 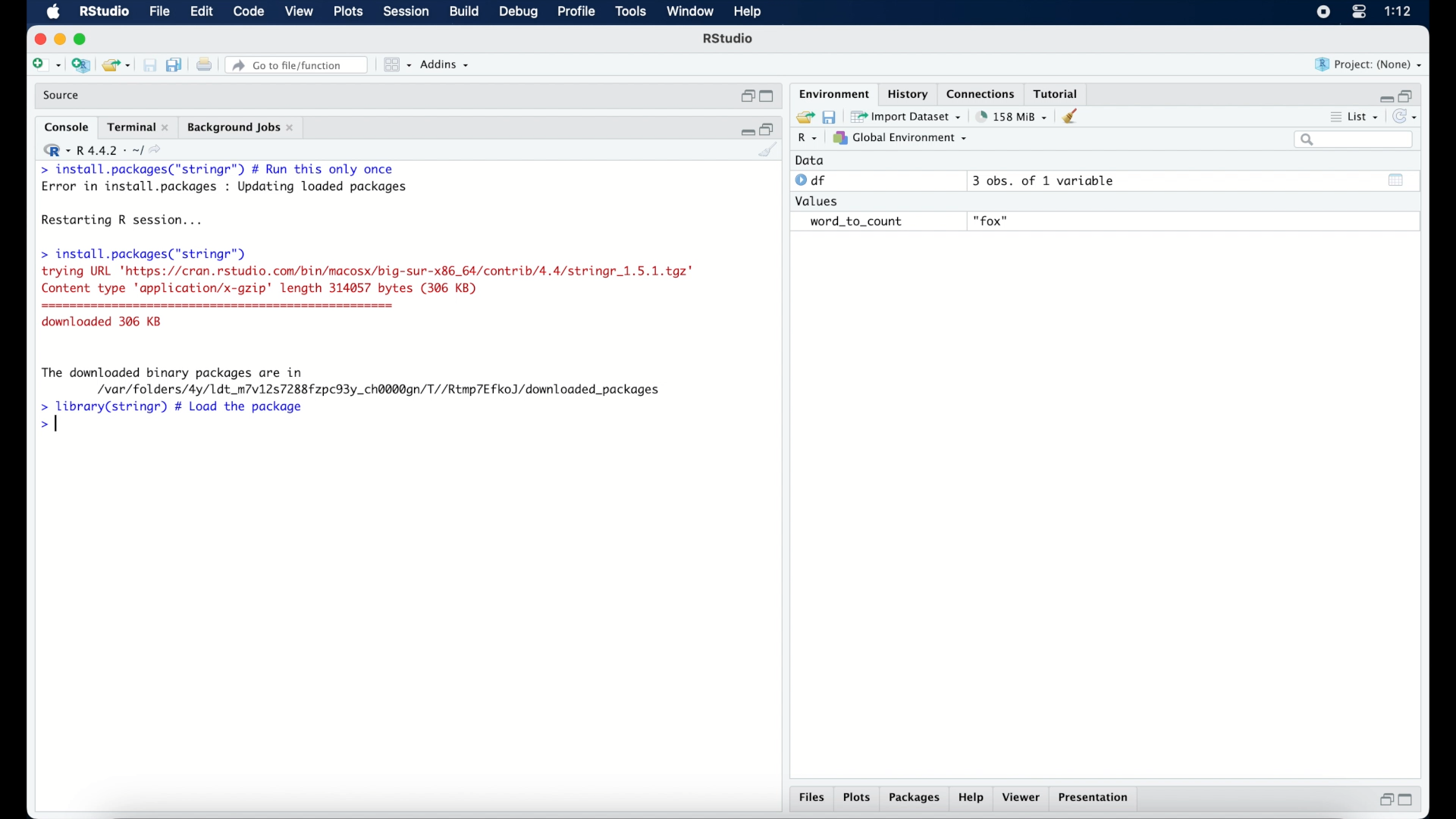 What do you see at coordinates (833, 93) in the screenshot?
I see `environment` at bounding box center [833, 93].